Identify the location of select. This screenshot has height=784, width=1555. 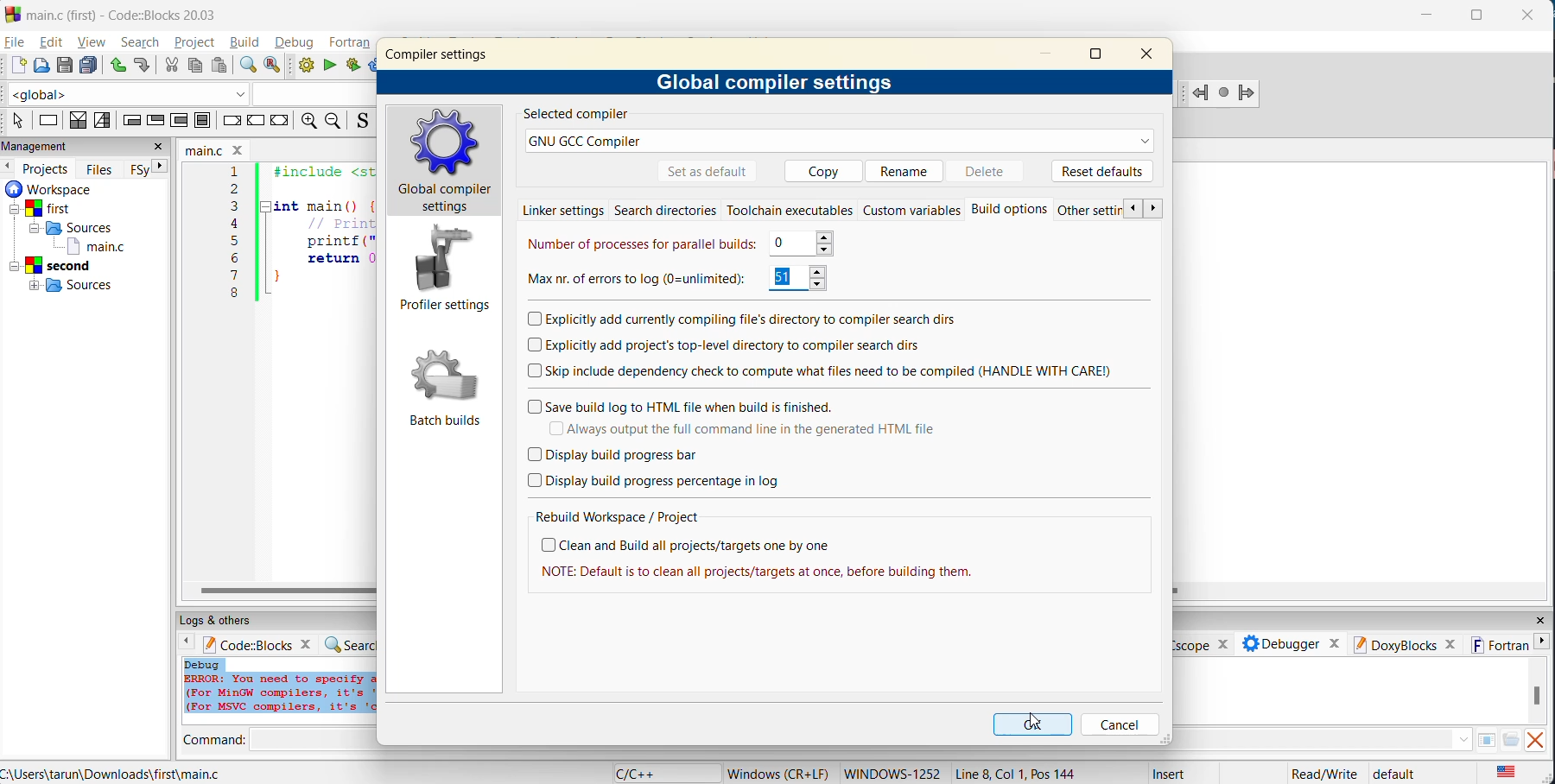
(18, 122).